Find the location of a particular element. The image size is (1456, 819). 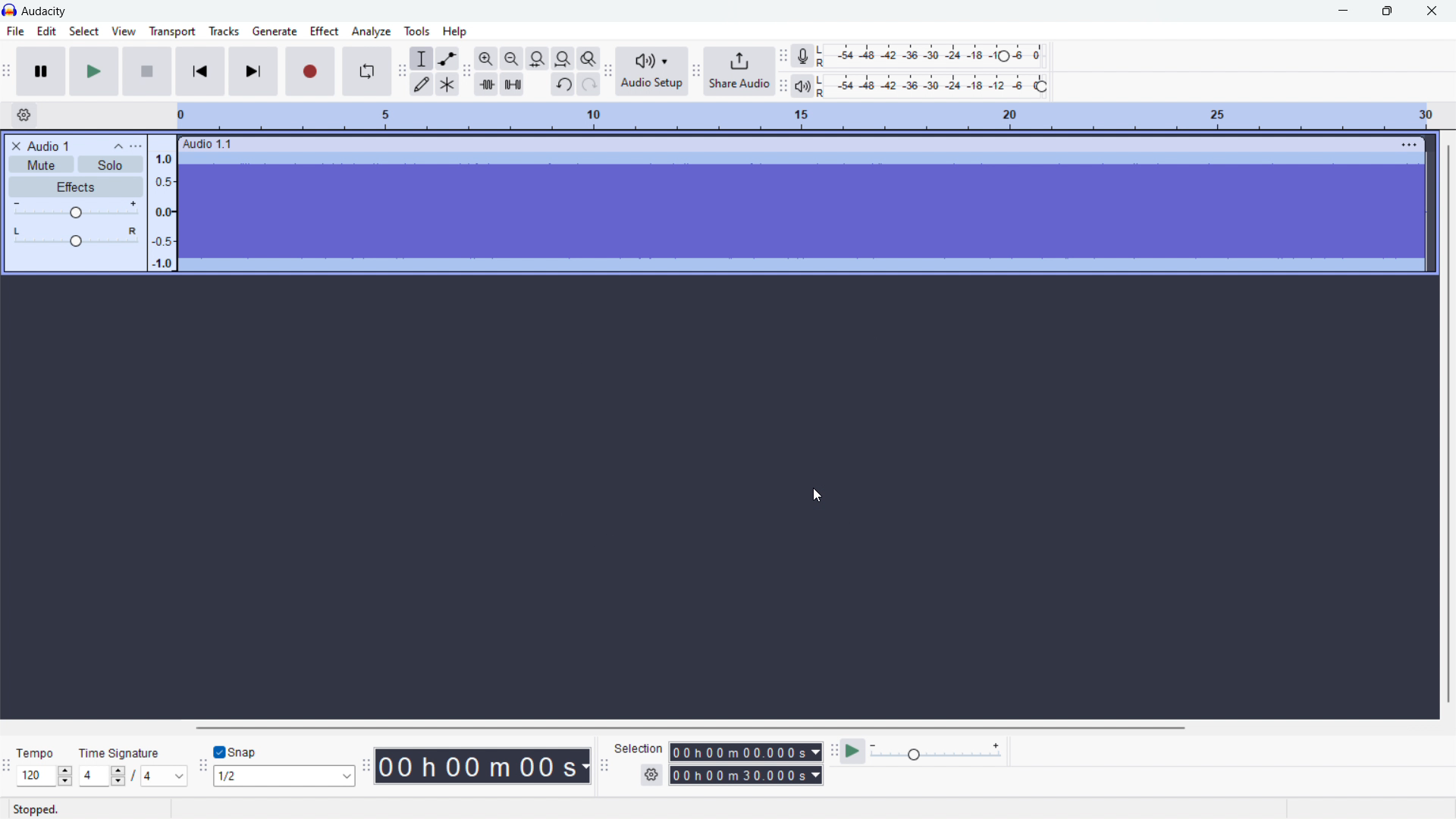

multi tool is located at coordinates (447, 84).